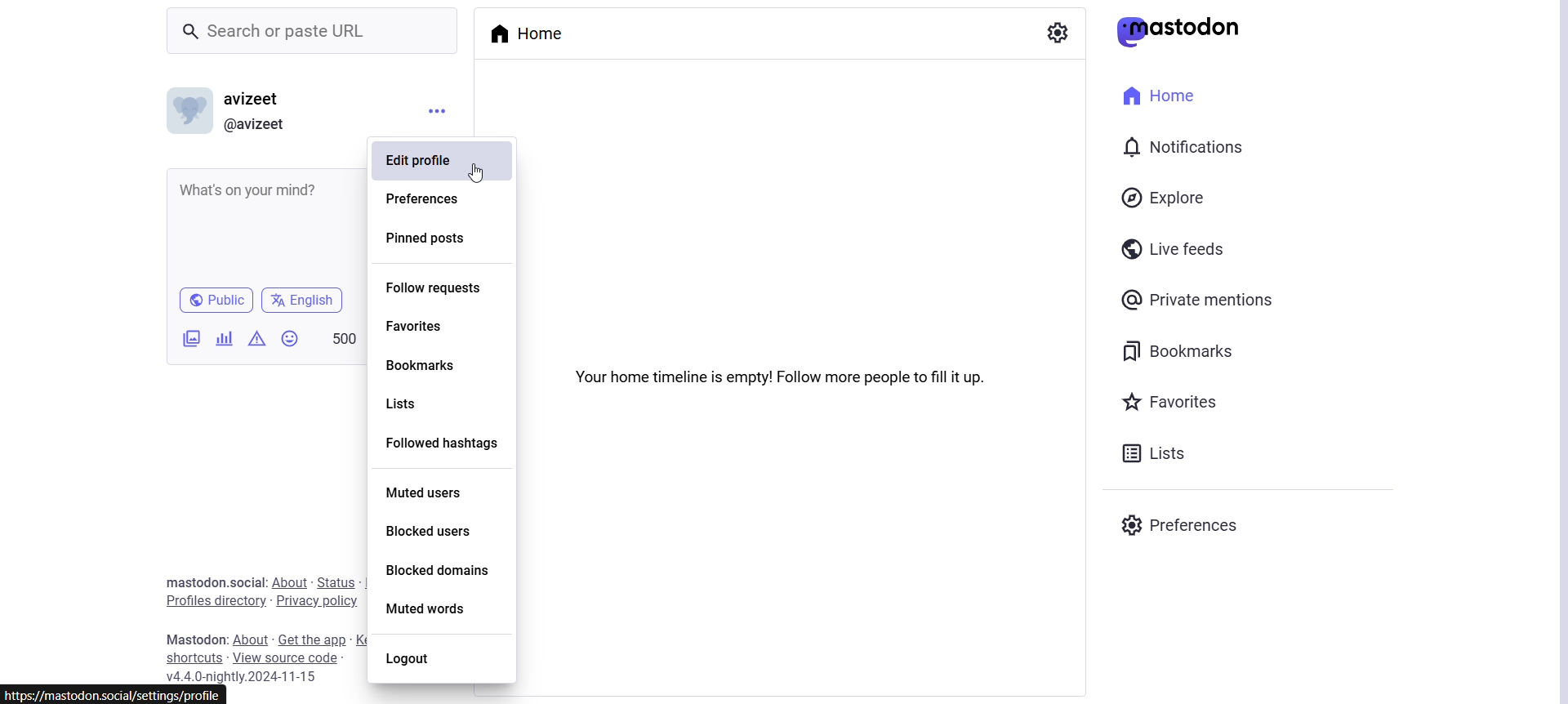  Describe the element at coordinates (427, 492) in the screenshot. I see `Muted Users` at that location.